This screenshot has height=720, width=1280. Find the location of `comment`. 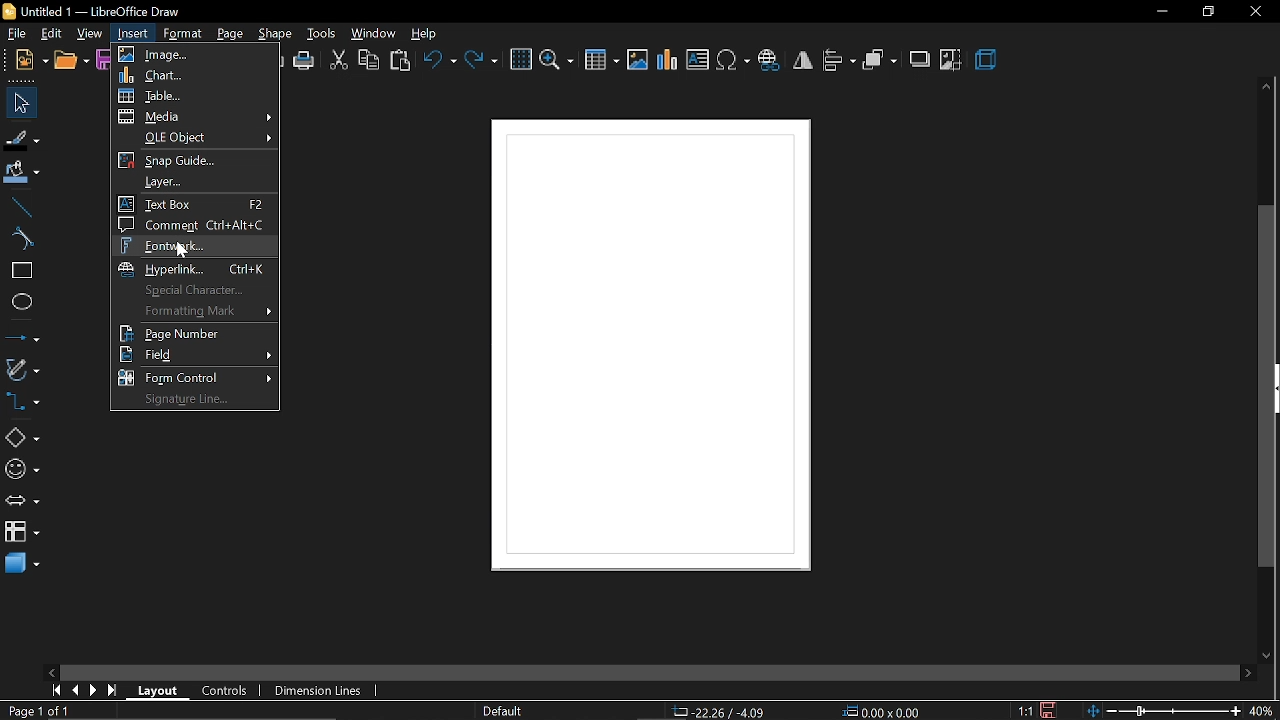

comment is located at coordinates (193, 225).